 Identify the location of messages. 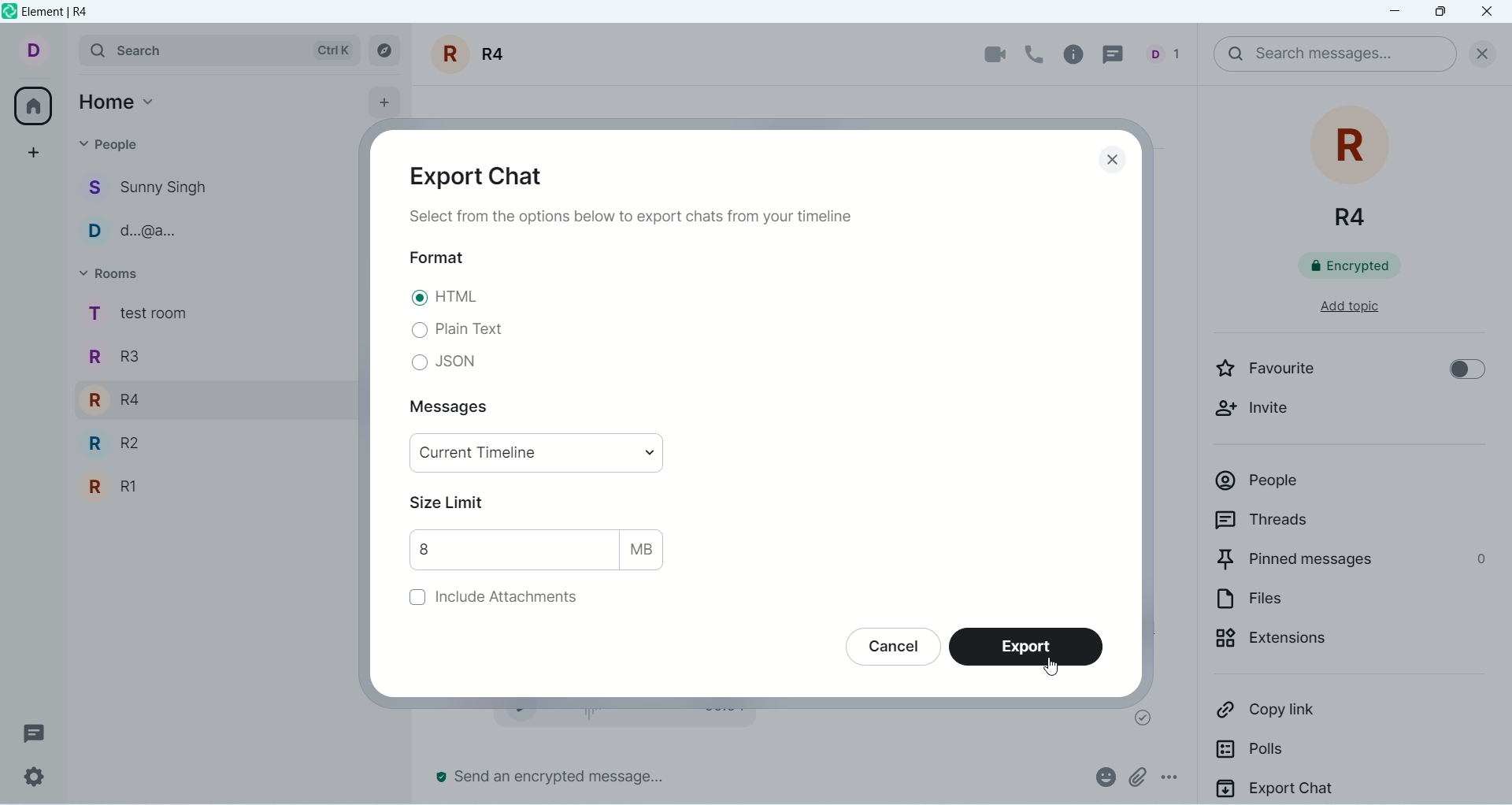
(458, 409).